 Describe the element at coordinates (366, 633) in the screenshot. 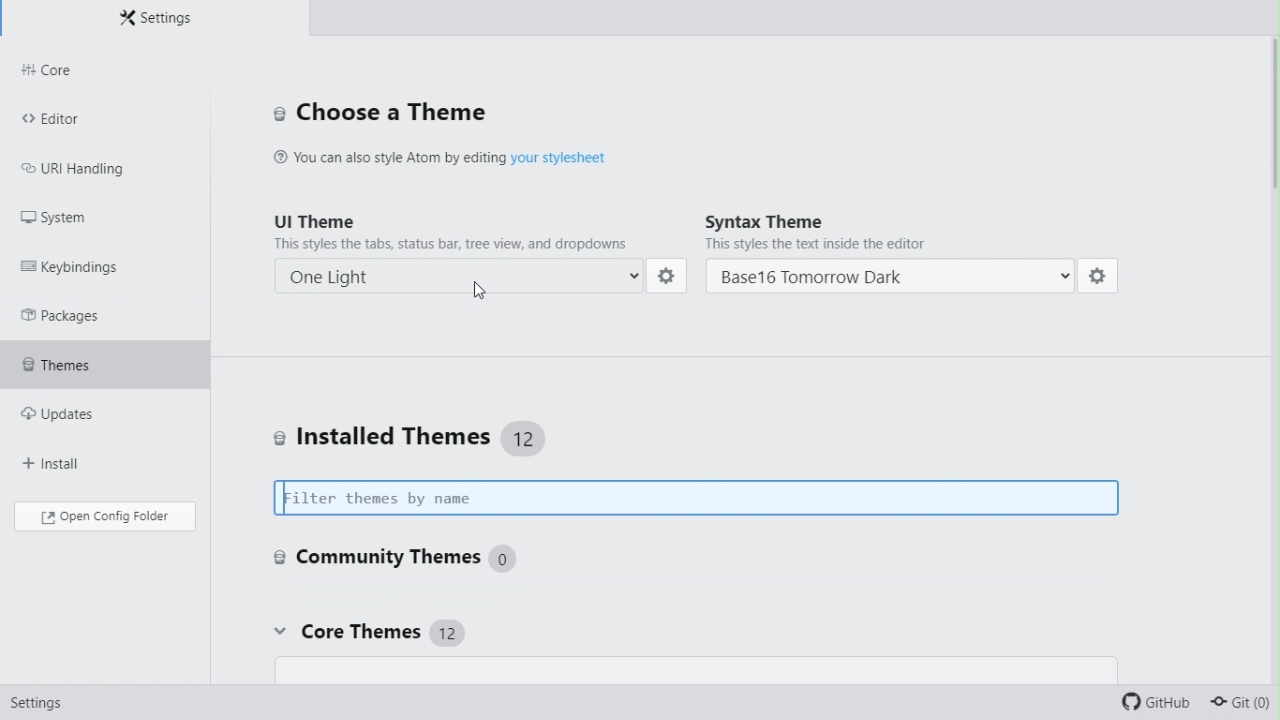

I see `Core themes 12` at that location.